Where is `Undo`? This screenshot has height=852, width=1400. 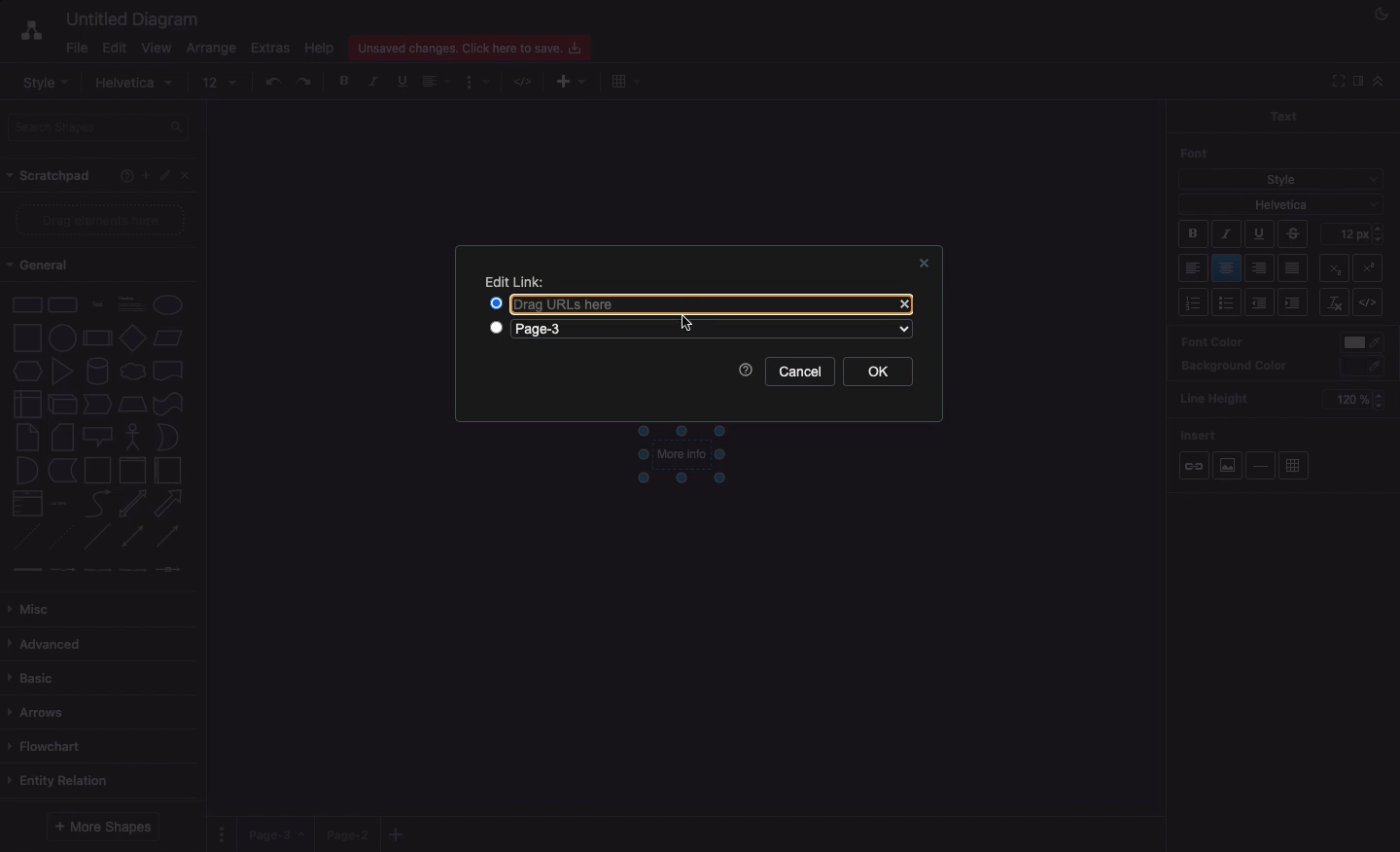
Undo is located at coordinates (272, 81).